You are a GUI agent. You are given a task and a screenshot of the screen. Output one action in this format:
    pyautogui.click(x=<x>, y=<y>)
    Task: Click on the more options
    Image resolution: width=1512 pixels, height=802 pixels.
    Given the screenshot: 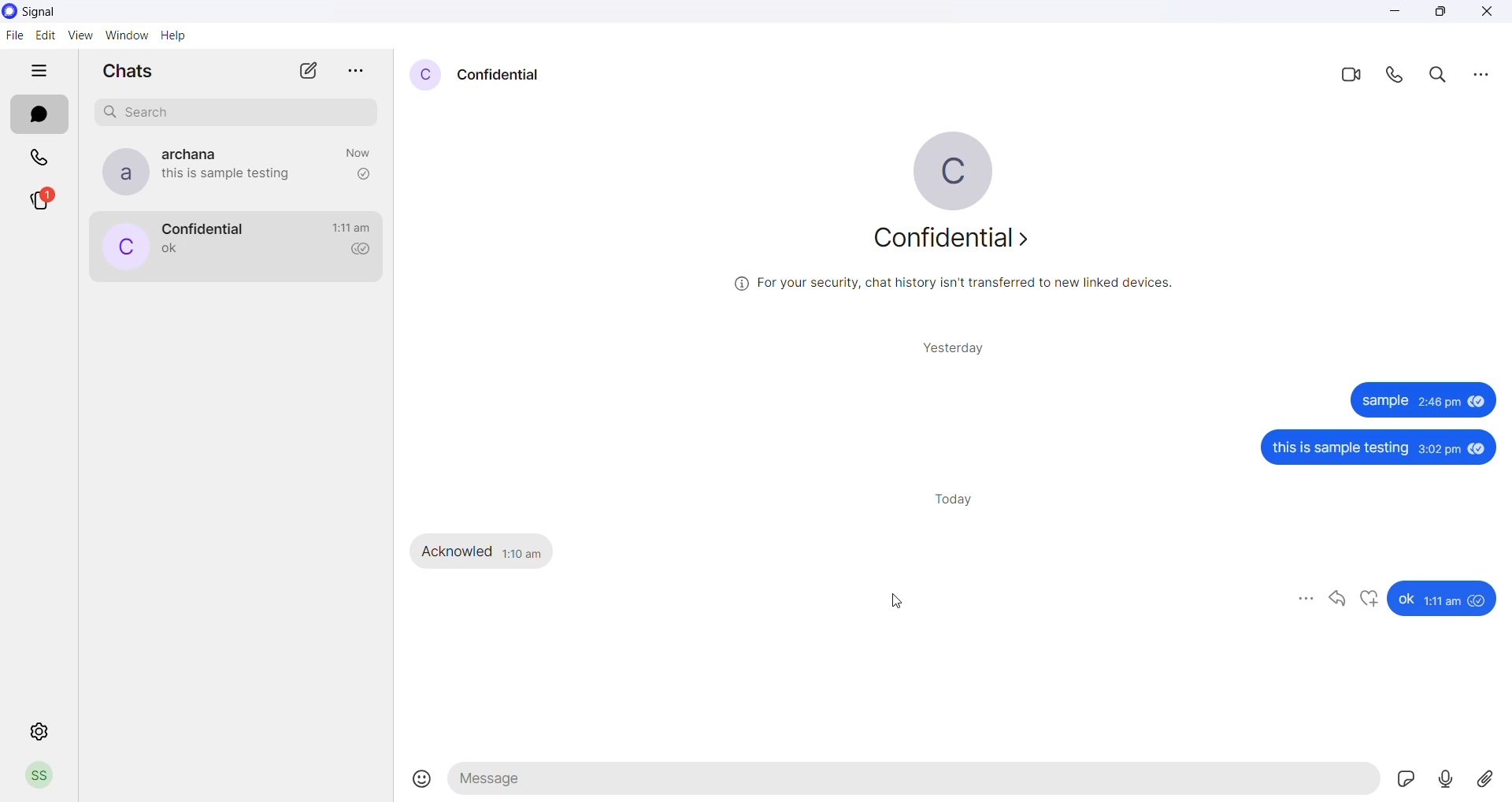 What is the action you would take?
    pyautogui.click(x=357, y=66)
    